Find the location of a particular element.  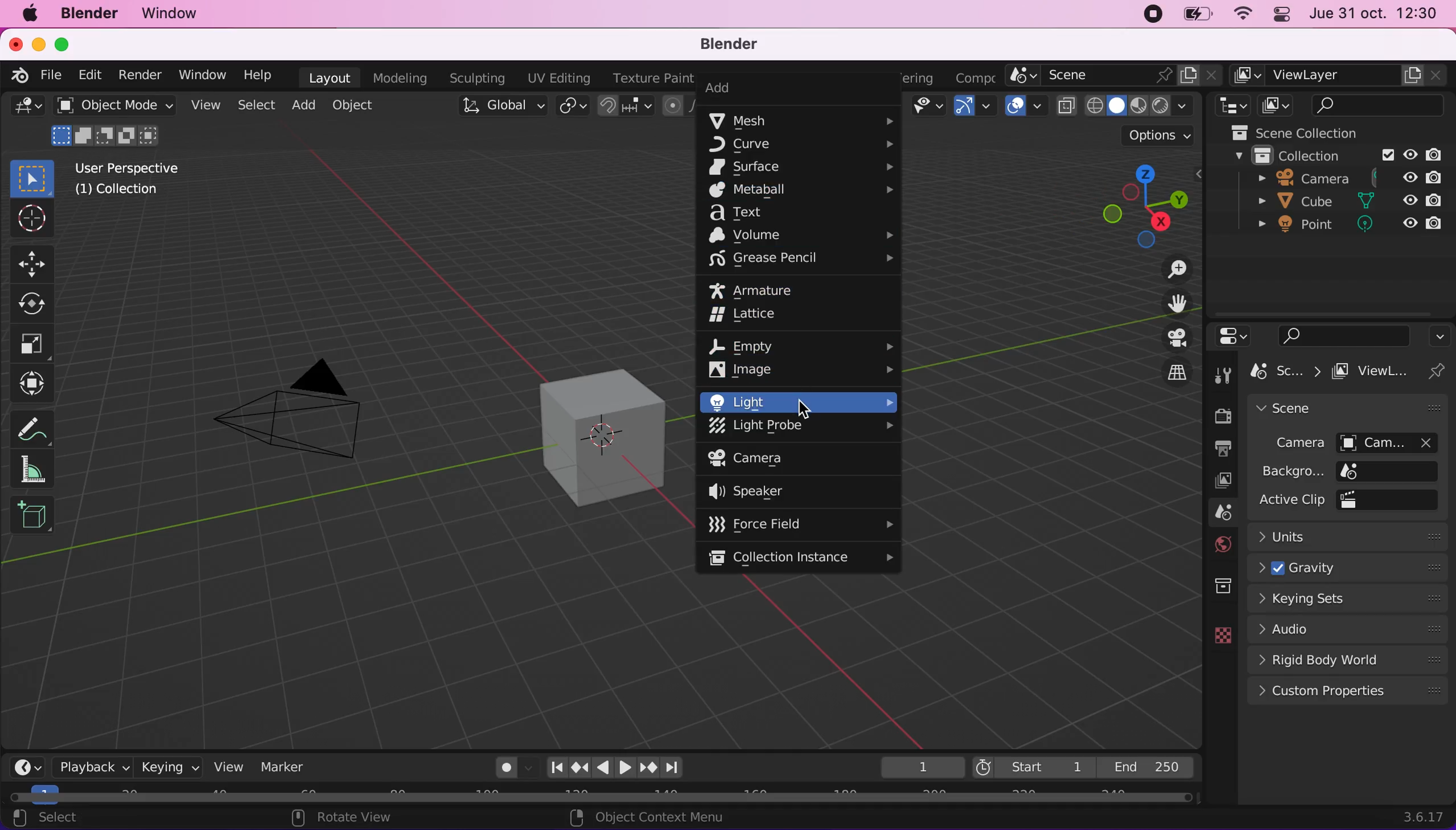

camera is located at coordinates (1287, 178).